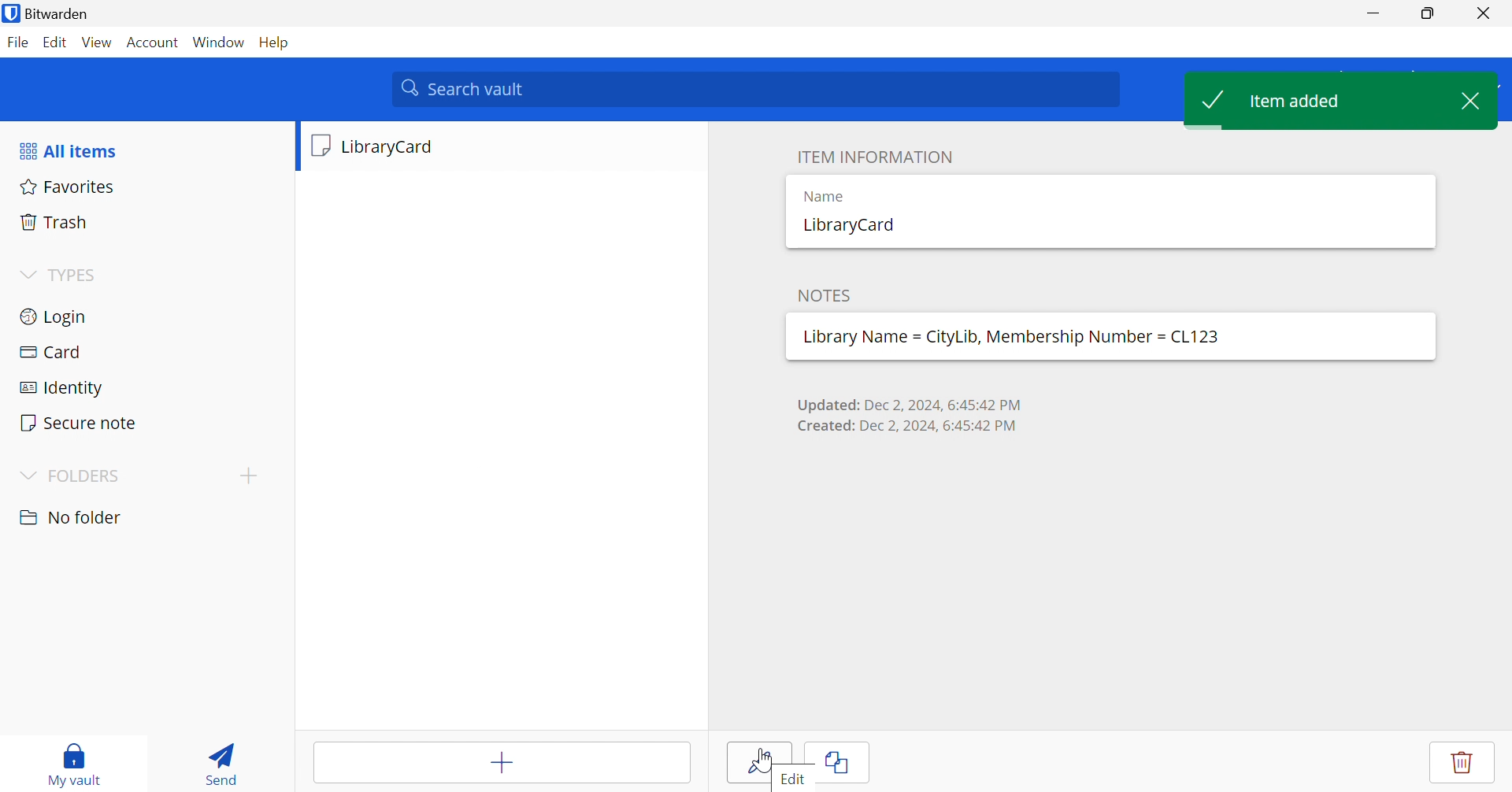  Describe the element at coordinates (823, 294) in the screenshot. I see `NOTES` at that location.